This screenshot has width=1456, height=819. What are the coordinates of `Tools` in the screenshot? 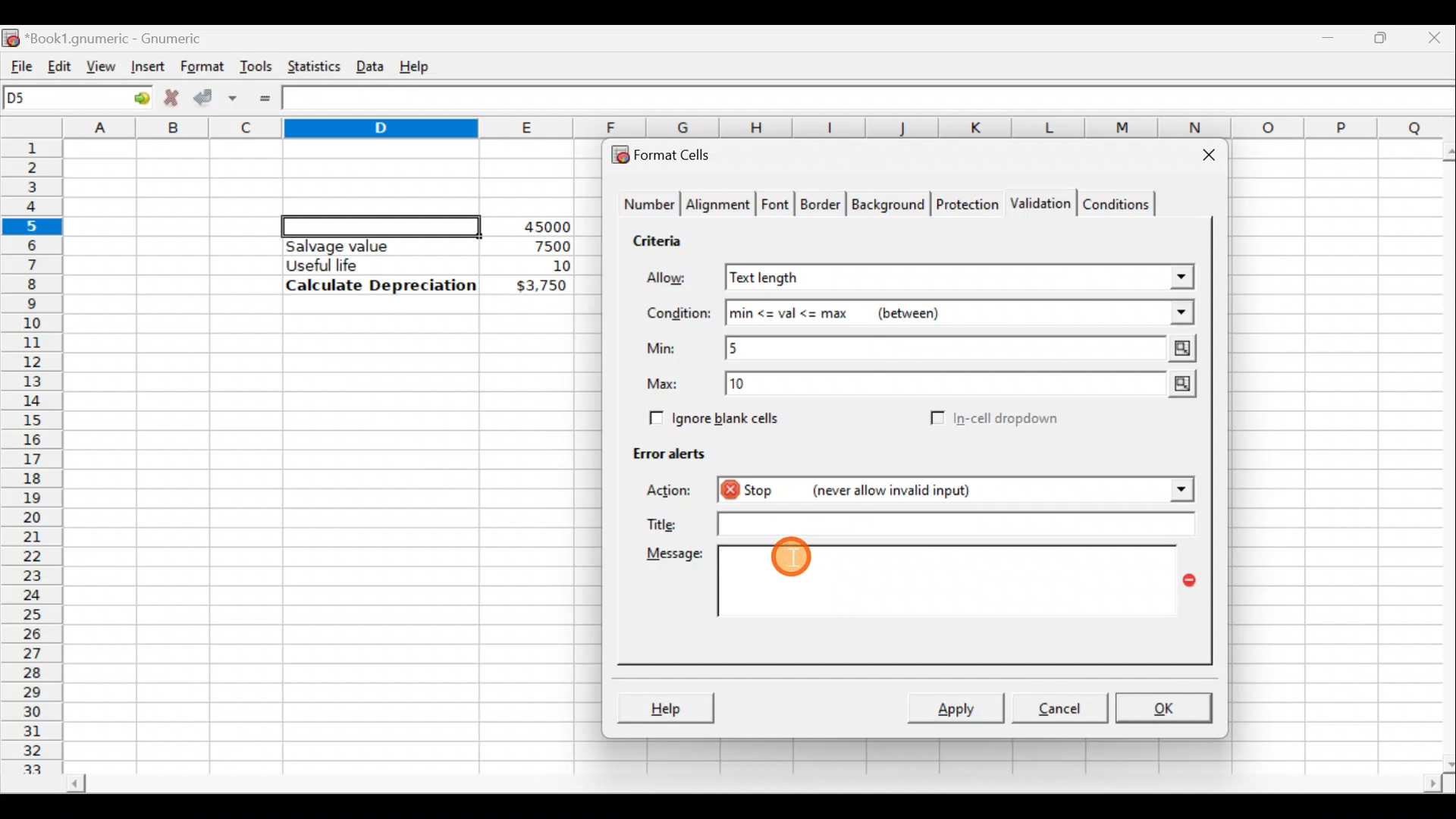 It's located at (256, 65).